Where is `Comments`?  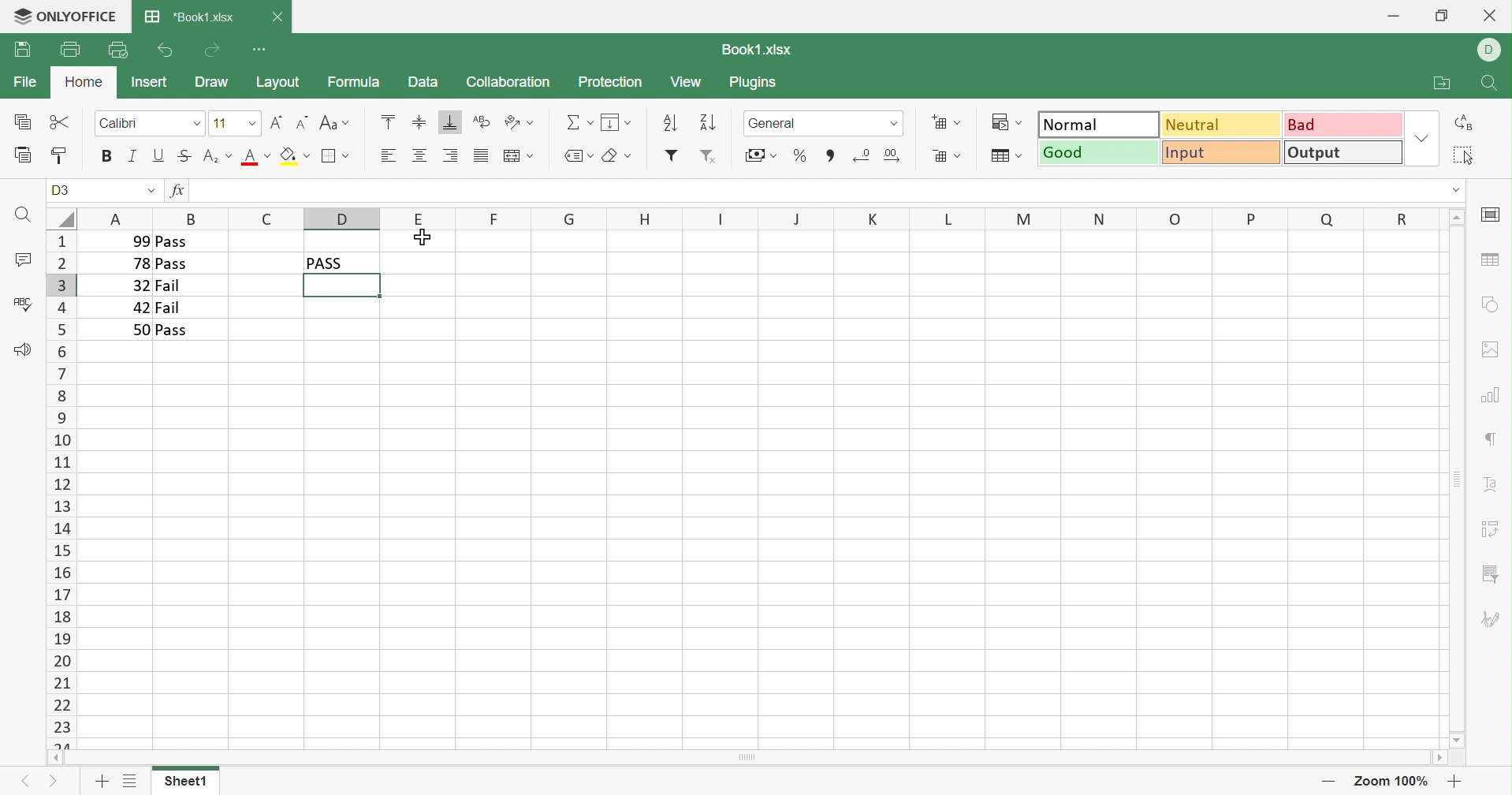
Comments is located at coordinates (24, 262).